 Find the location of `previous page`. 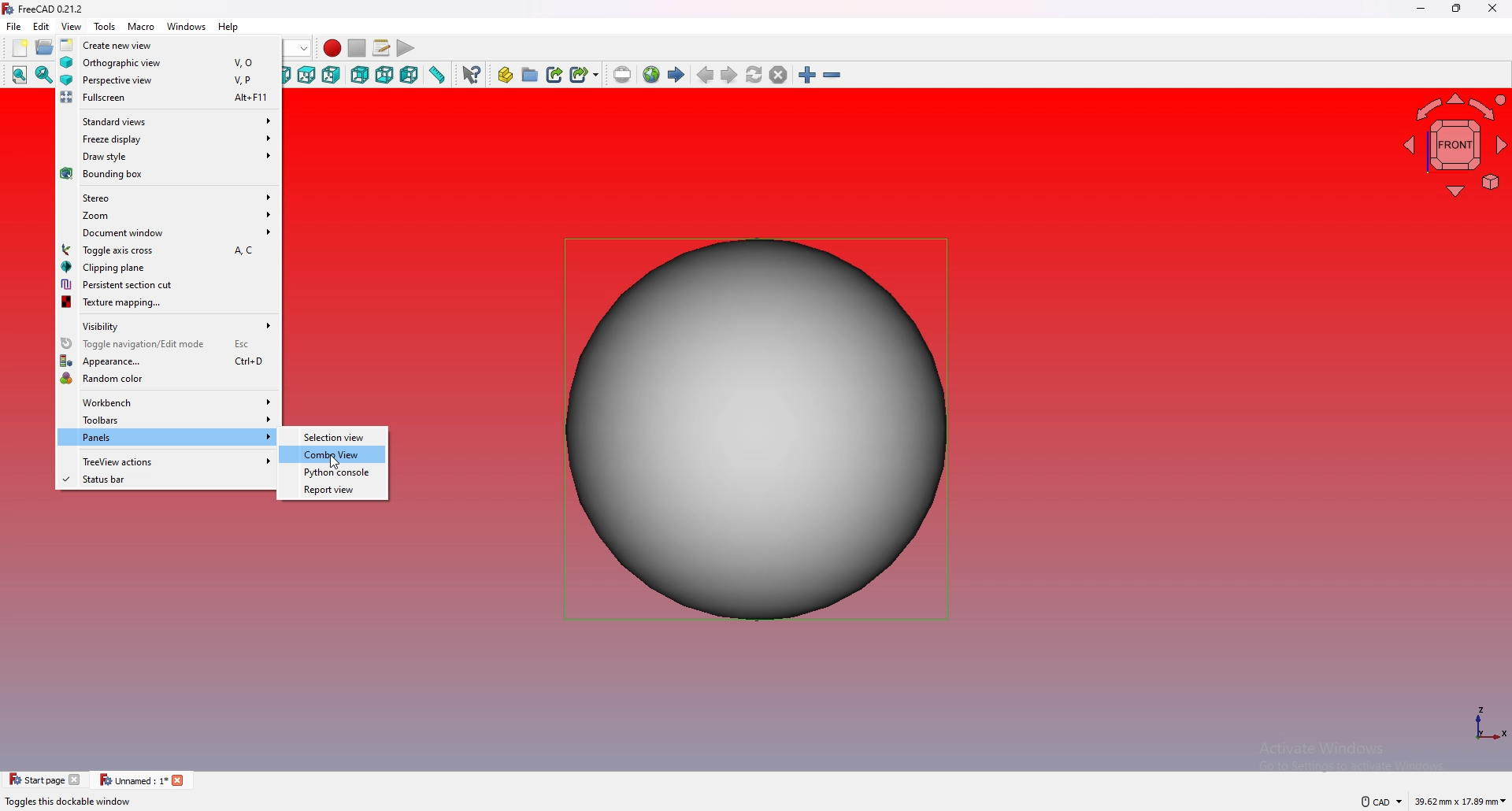

previous page is located at coordinates (706, 76).